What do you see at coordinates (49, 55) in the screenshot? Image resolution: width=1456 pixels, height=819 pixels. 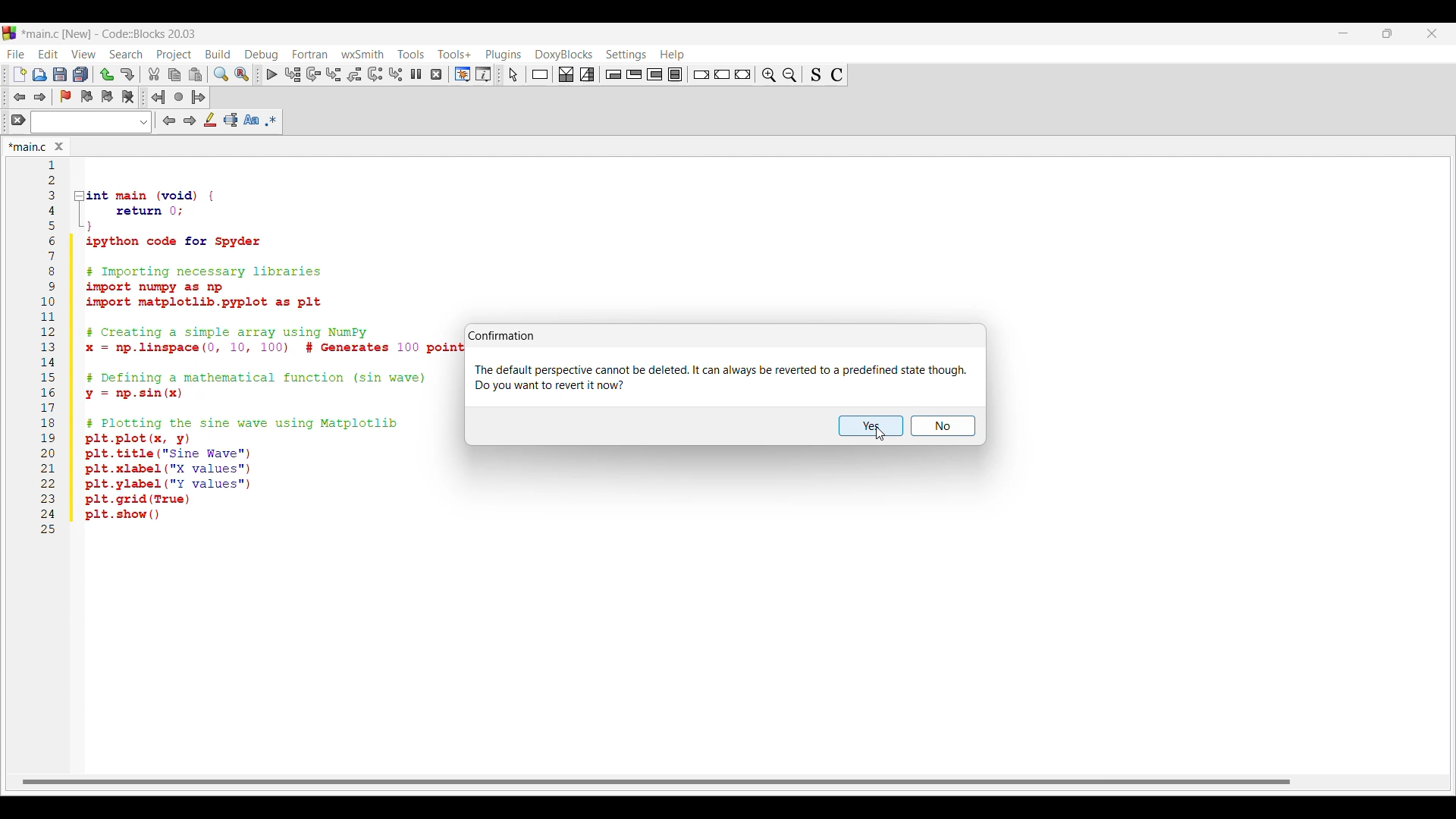 I see `Edit menu` at bounding box center [49, 55].